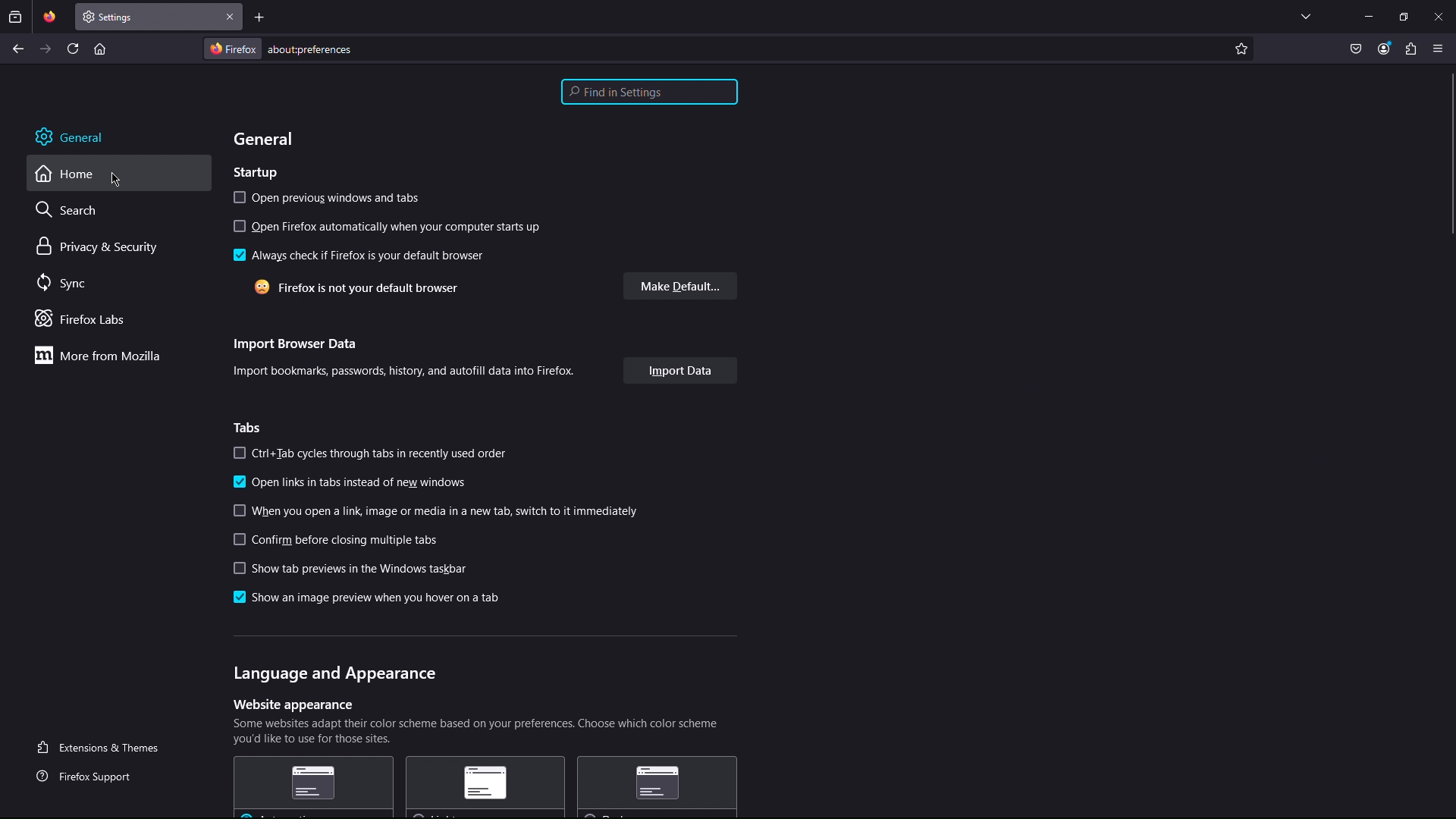  I want to click on Open previous windows and tabs, so click(328, 197).